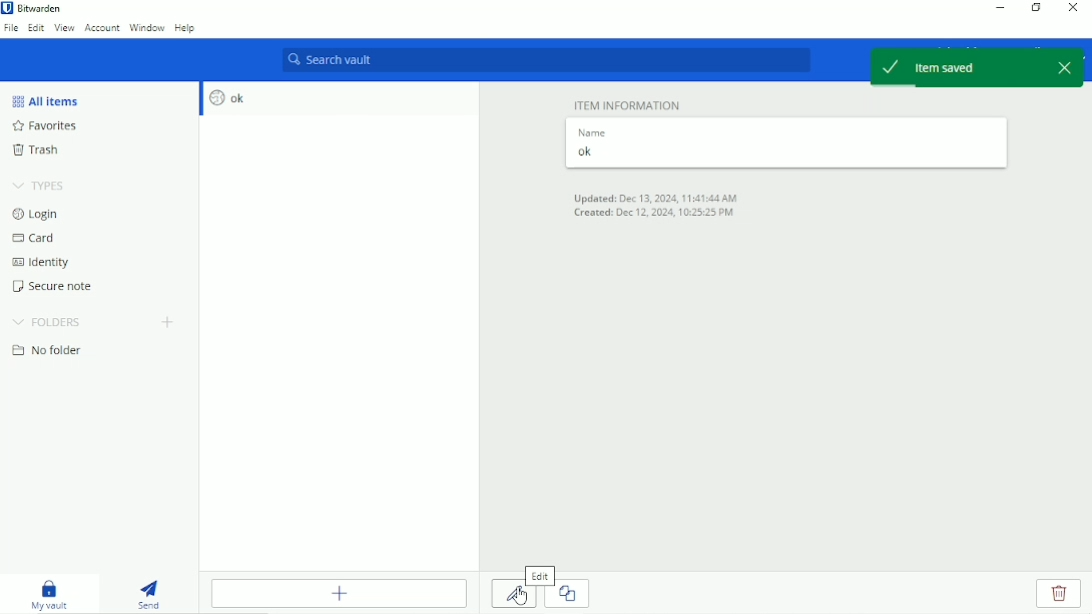  Describe the element at coordinates (169, 322) in the screenshot. I see `Create folder` at that location.